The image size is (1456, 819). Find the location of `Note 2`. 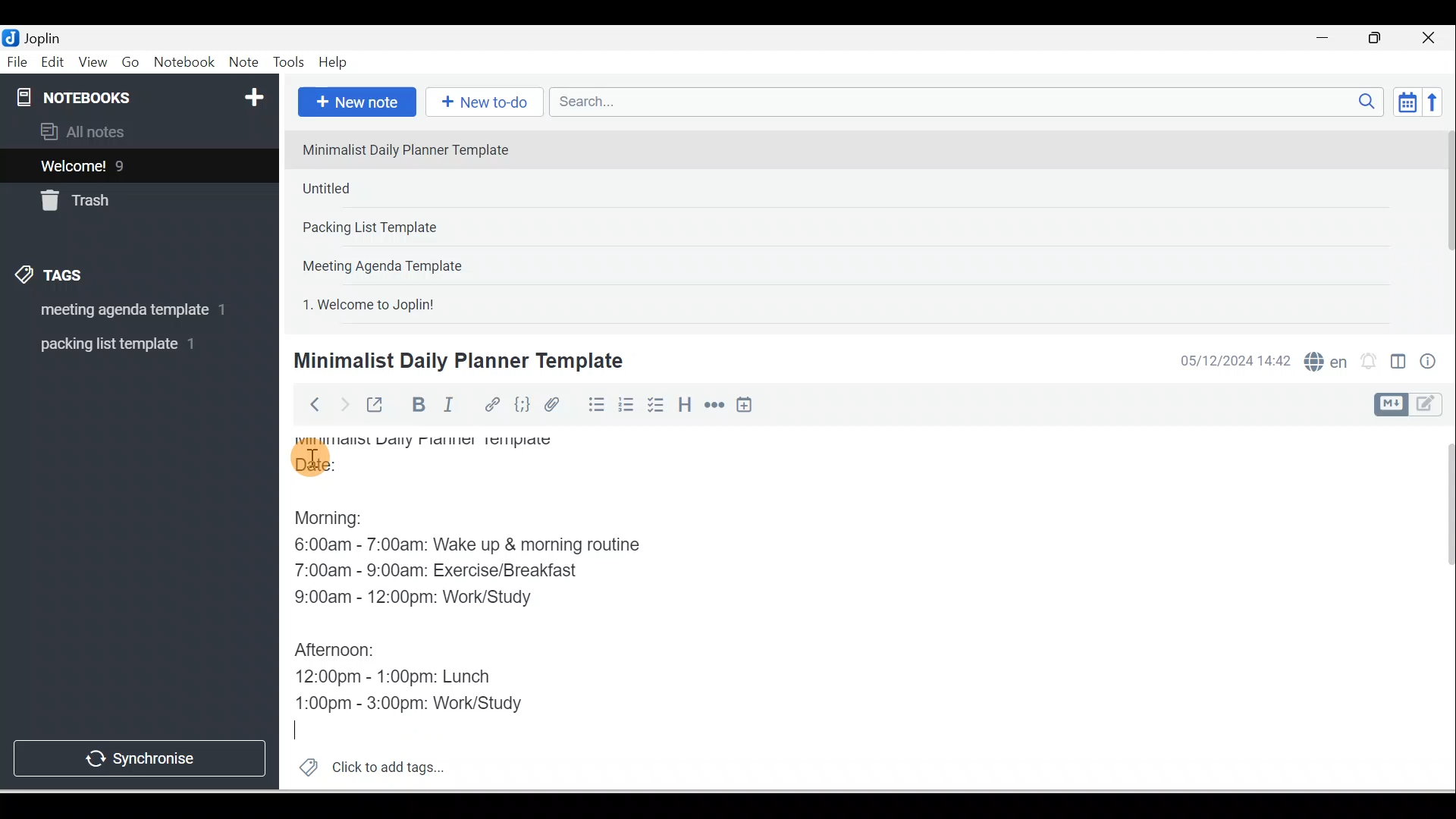

Note 2 is located at coordinates (401, 188).